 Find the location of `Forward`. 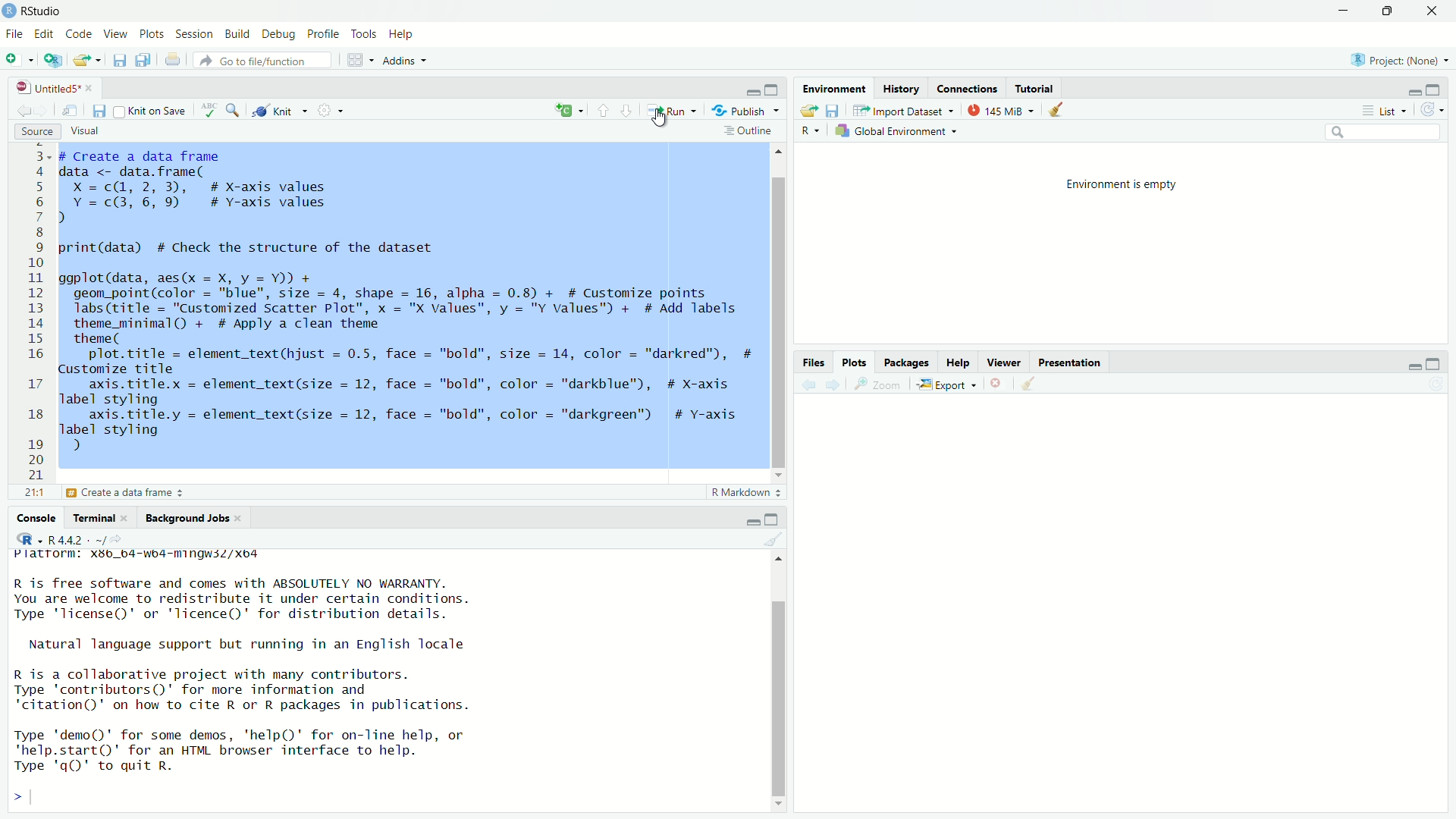

Forward is located at coordinates (831, 385).